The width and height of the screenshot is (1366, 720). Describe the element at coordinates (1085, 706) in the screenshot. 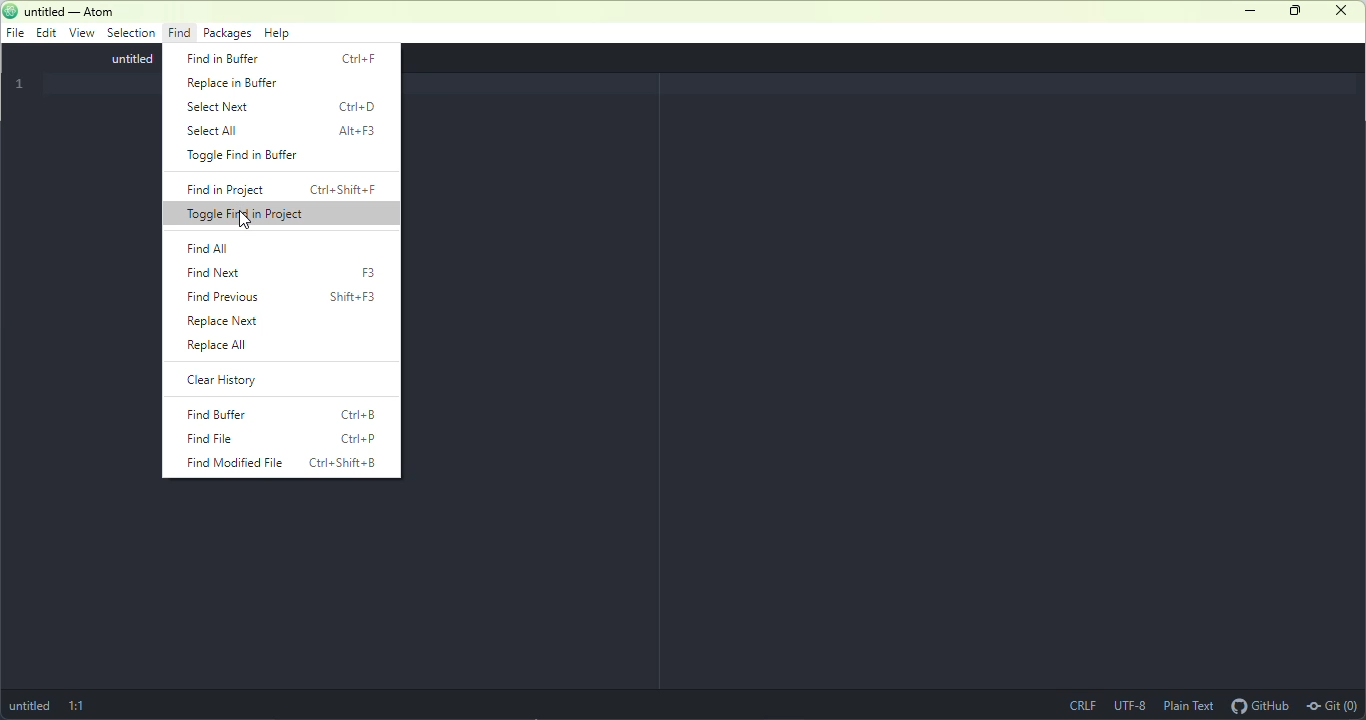

I see `CRLF` at that location.